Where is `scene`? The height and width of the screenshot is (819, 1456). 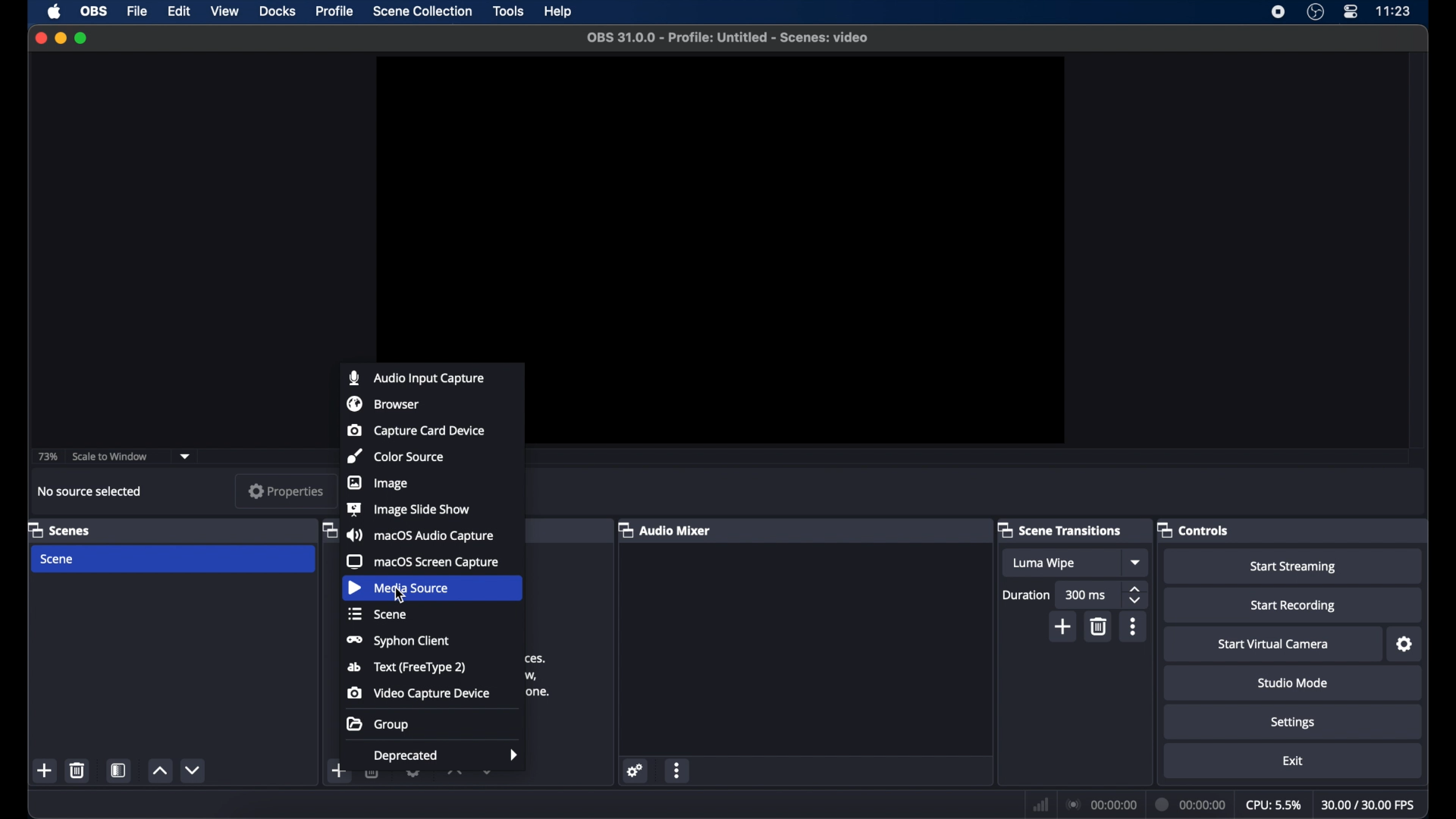 scene is located at coordinates (377, 613).